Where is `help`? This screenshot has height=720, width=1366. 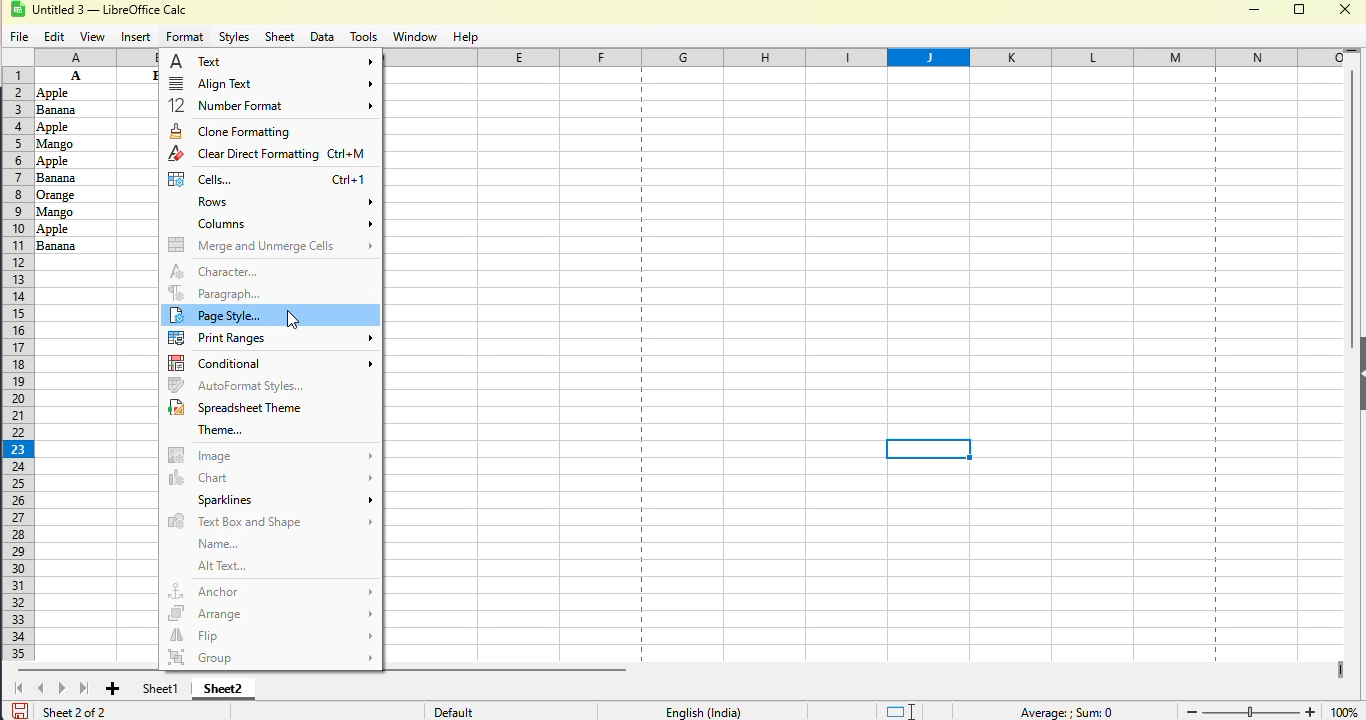 help is located at coordinates (464, 37).